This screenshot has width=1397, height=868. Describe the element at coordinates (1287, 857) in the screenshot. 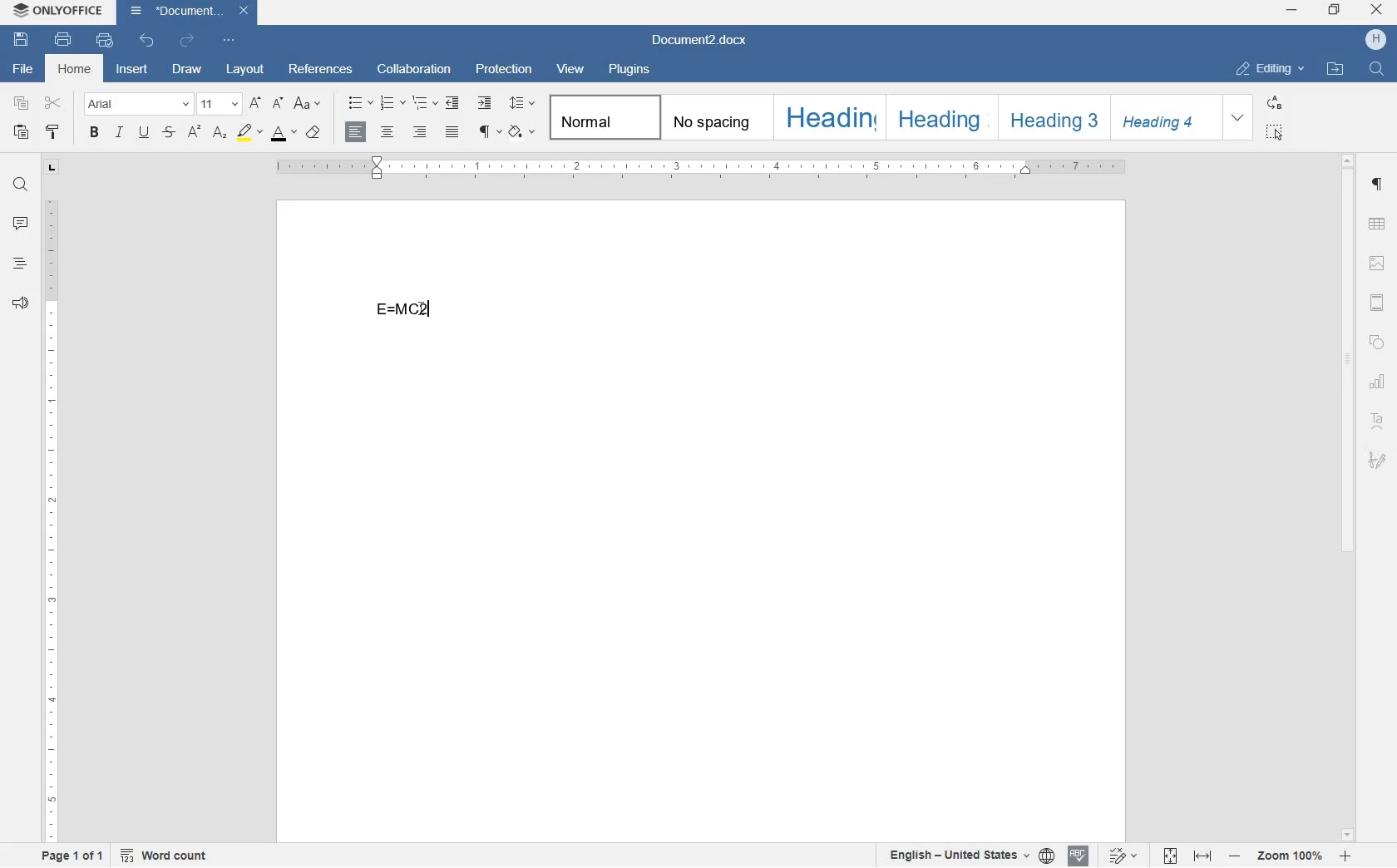

I see `zoom in or zoom out` at that location.